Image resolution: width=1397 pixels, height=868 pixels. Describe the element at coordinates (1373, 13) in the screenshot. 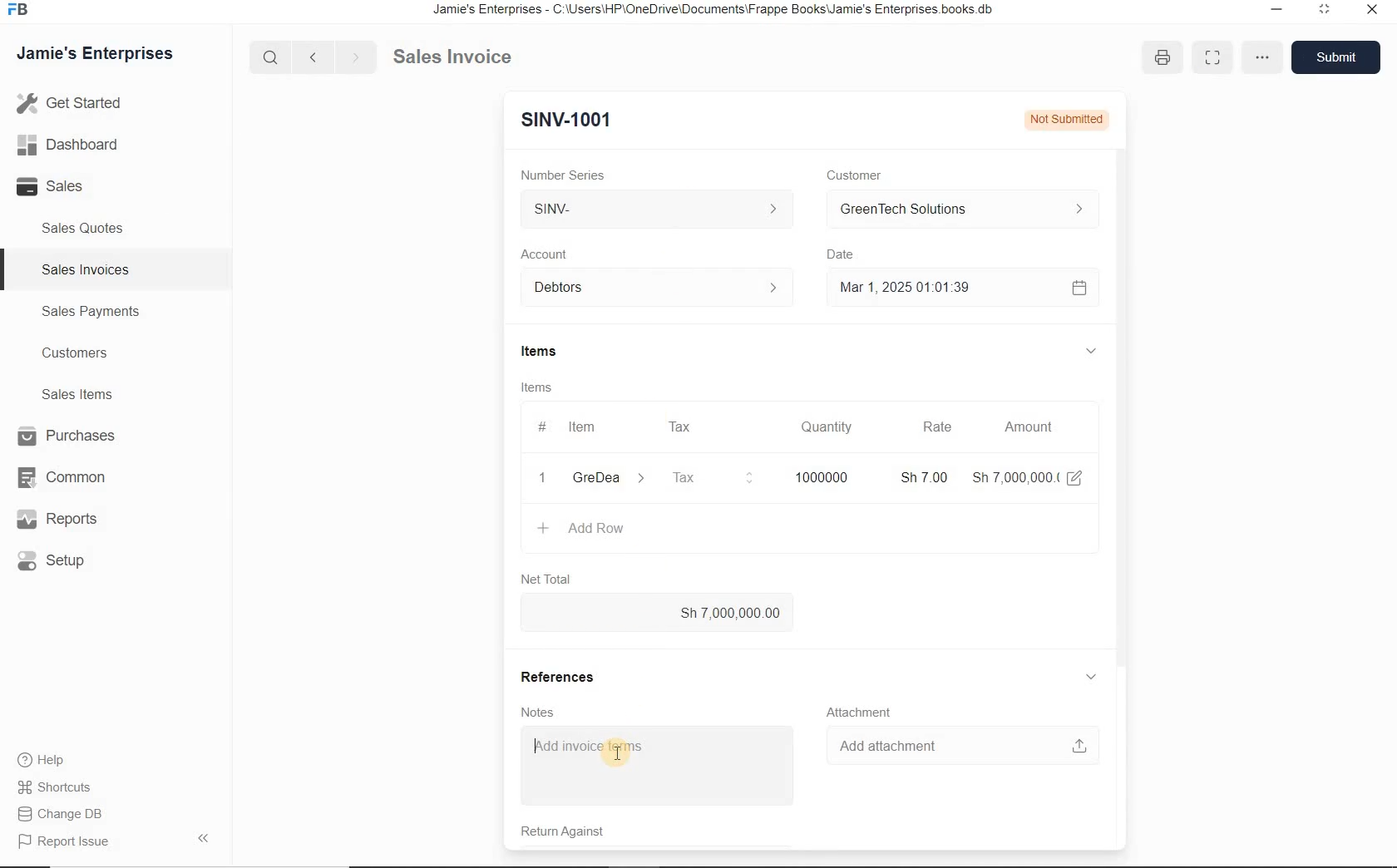

I see `close` at that location.